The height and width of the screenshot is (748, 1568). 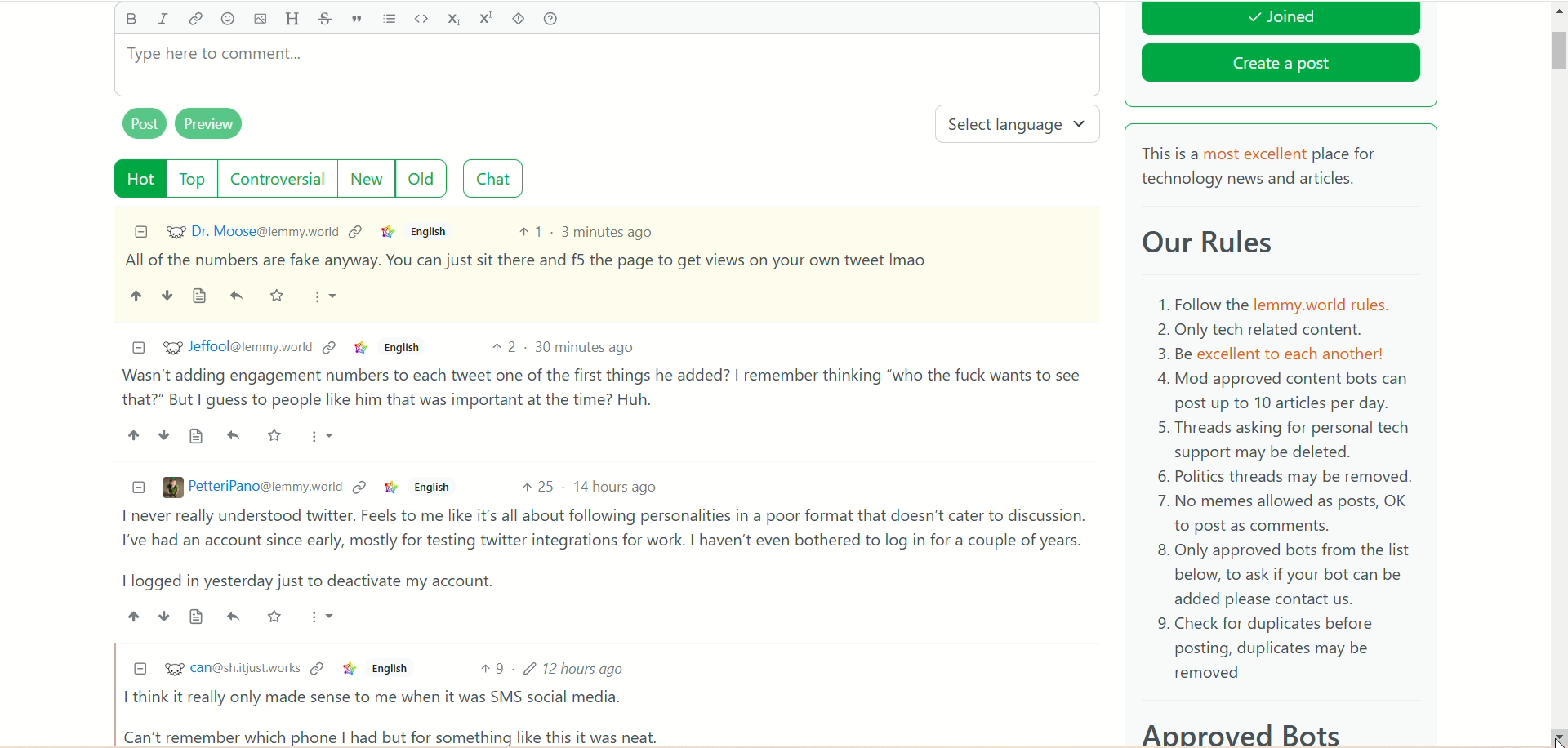 I want to click on Upvote , so click(x=132, y=434).